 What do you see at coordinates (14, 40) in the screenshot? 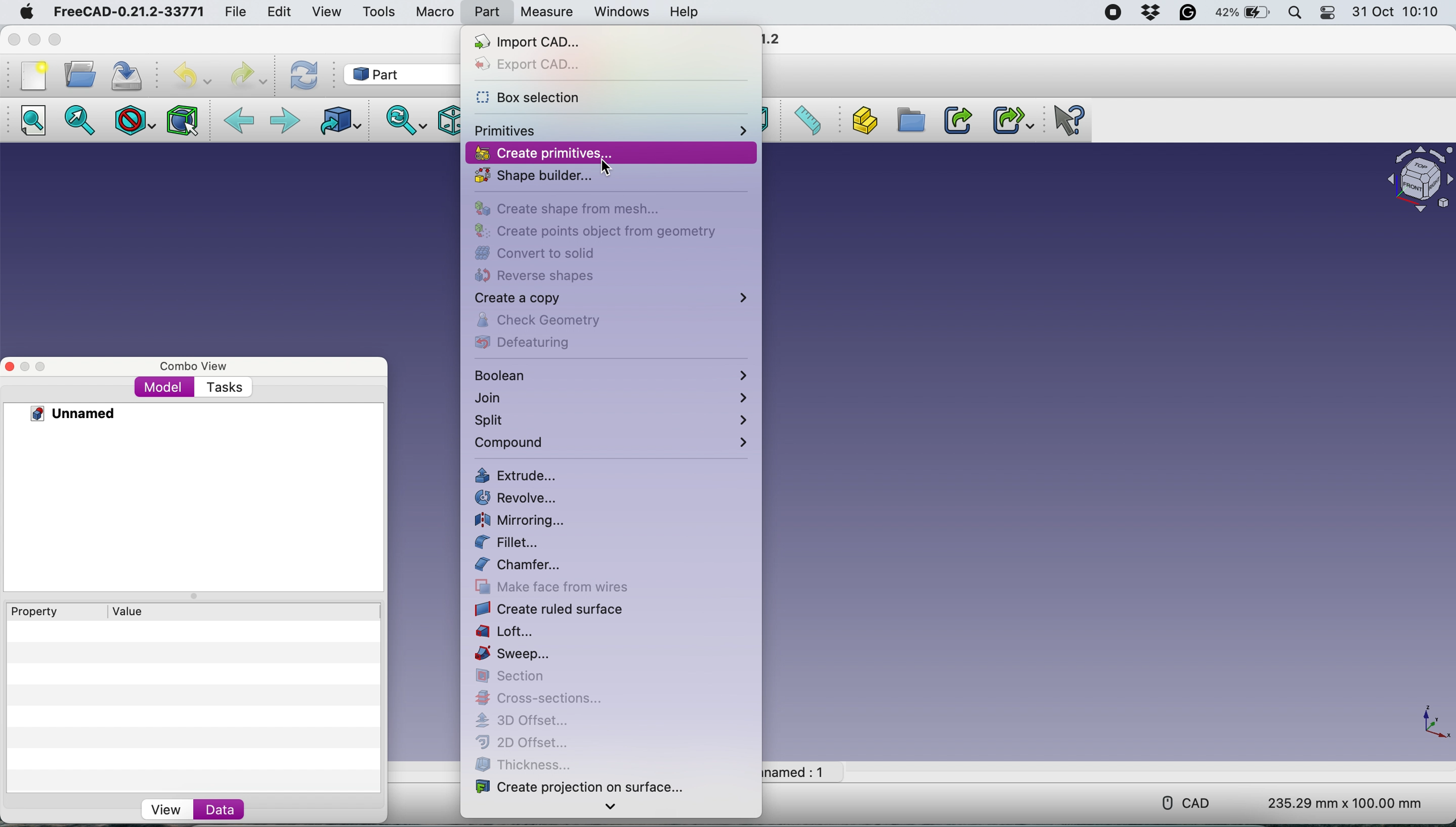
I see `Close` at bounding box center [14, 40].